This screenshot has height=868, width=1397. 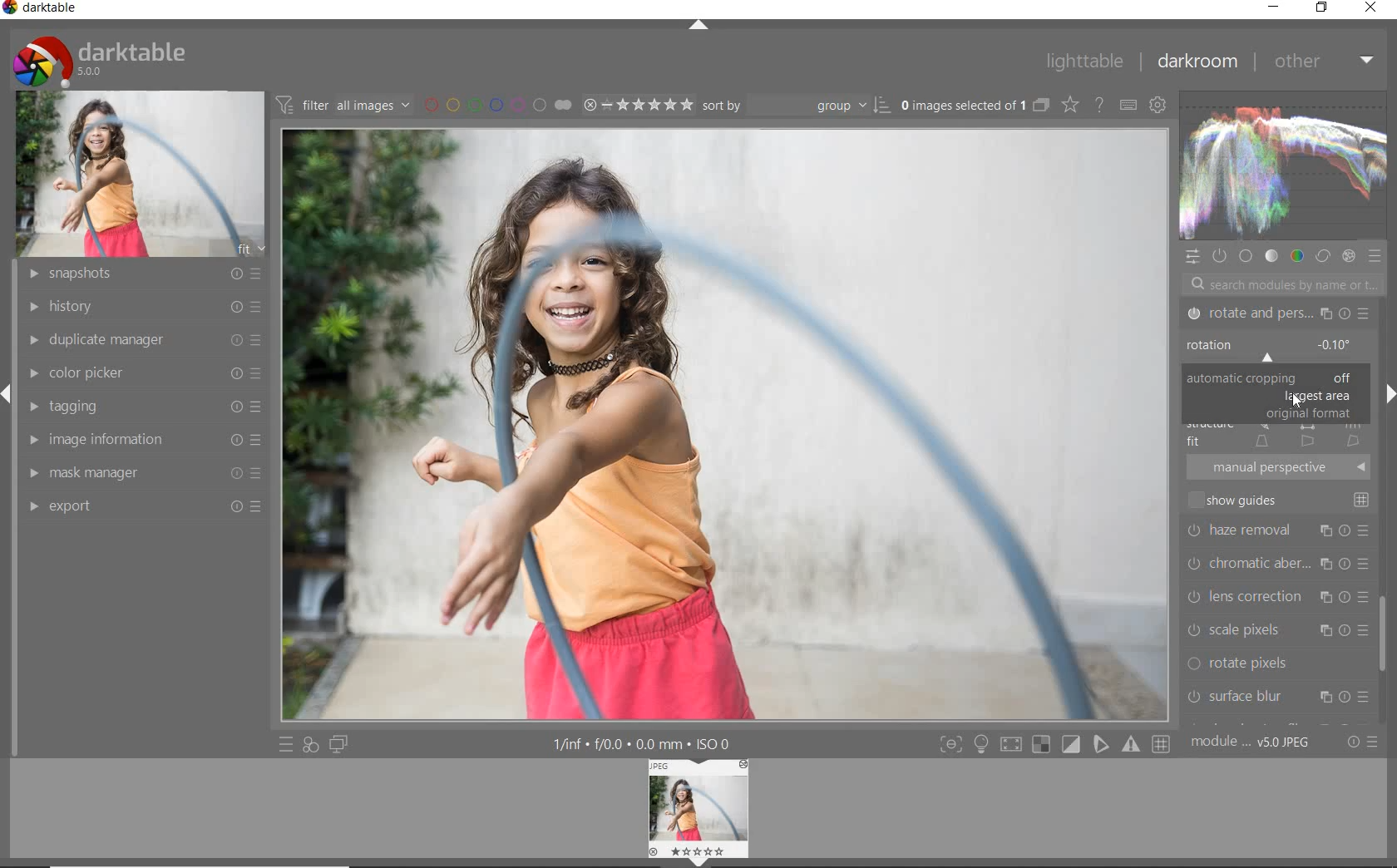 What do you see at coordinates (1218, 254) in the screenshot?
I see `show only active module` at bounding box center [1218, 254].